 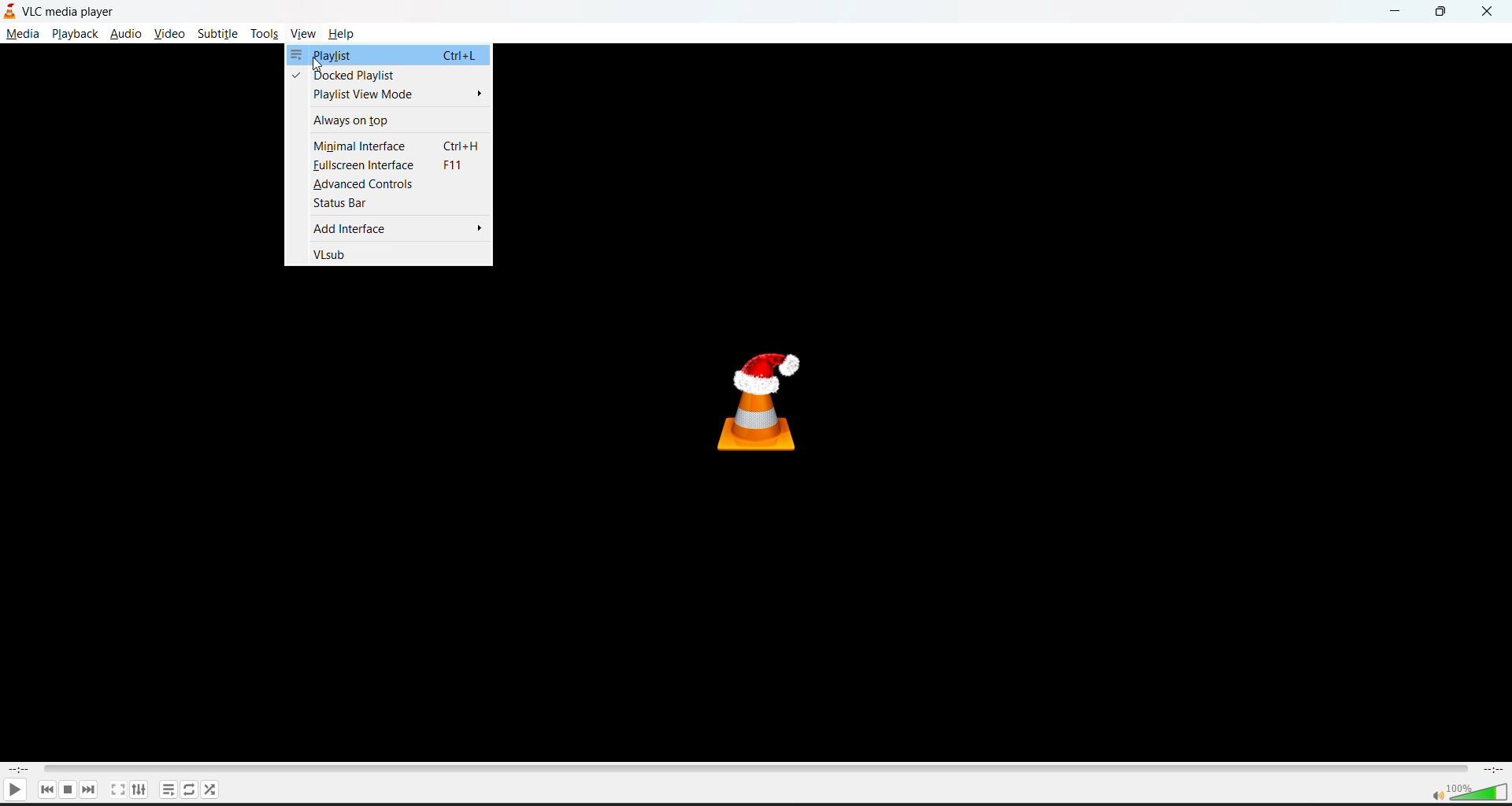 I want to click on vlsub, so click(x=390, y=253).